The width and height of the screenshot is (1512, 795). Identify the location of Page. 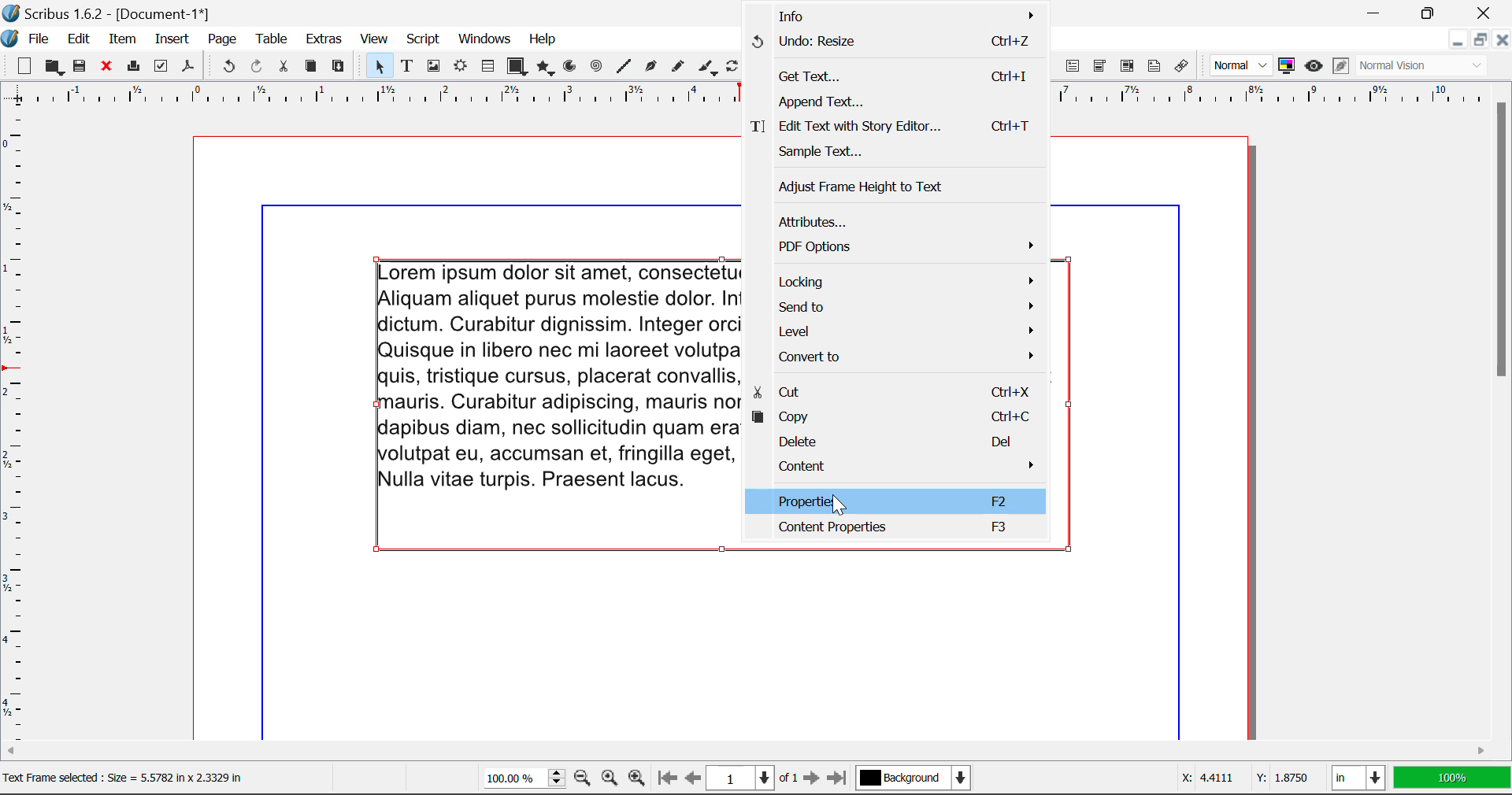
(221, 40).